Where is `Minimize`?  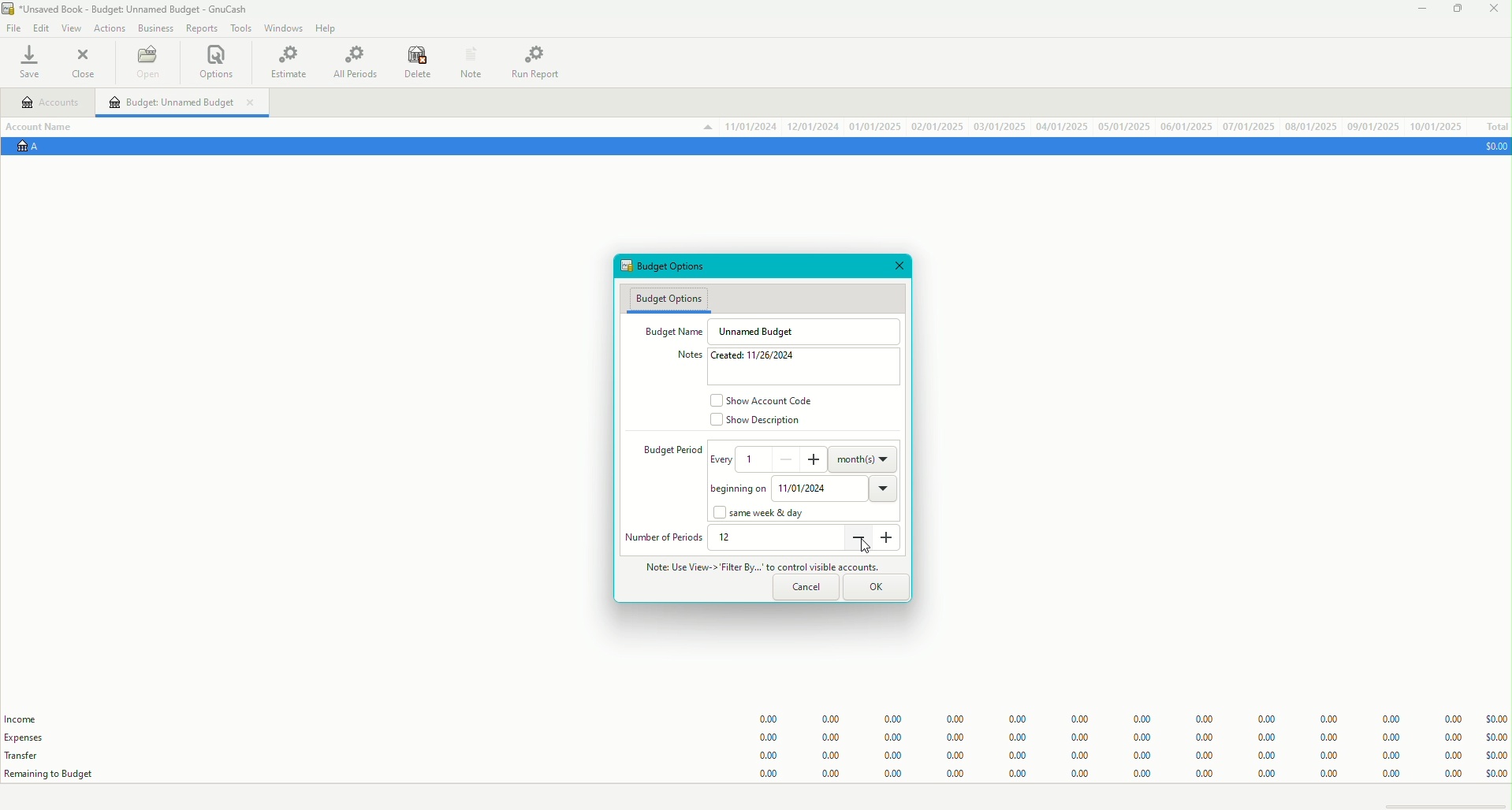
Minimize is located at coordinates (1420, 12).